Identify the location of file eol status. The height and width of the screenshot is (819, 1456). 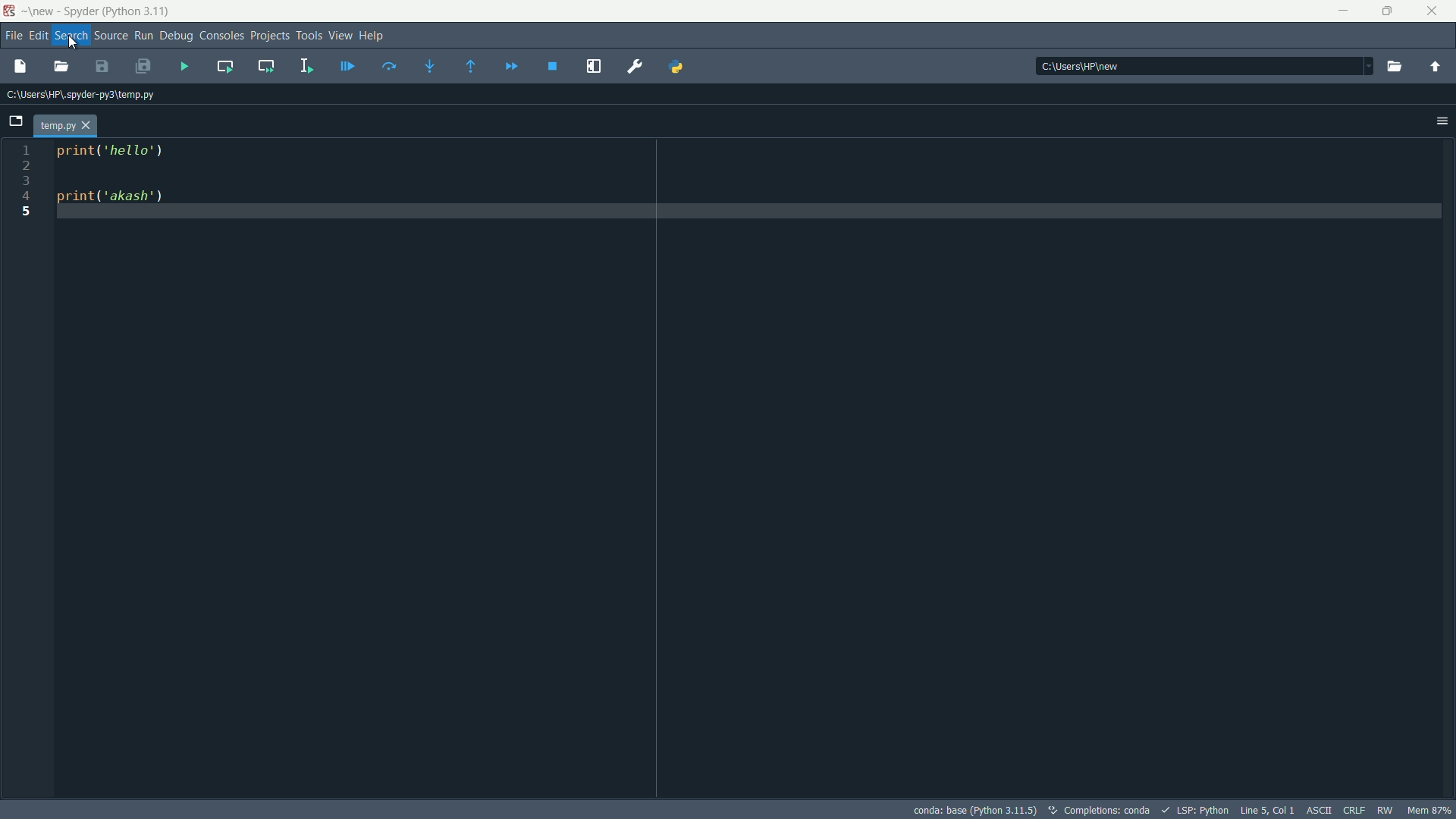
(1357, 809).